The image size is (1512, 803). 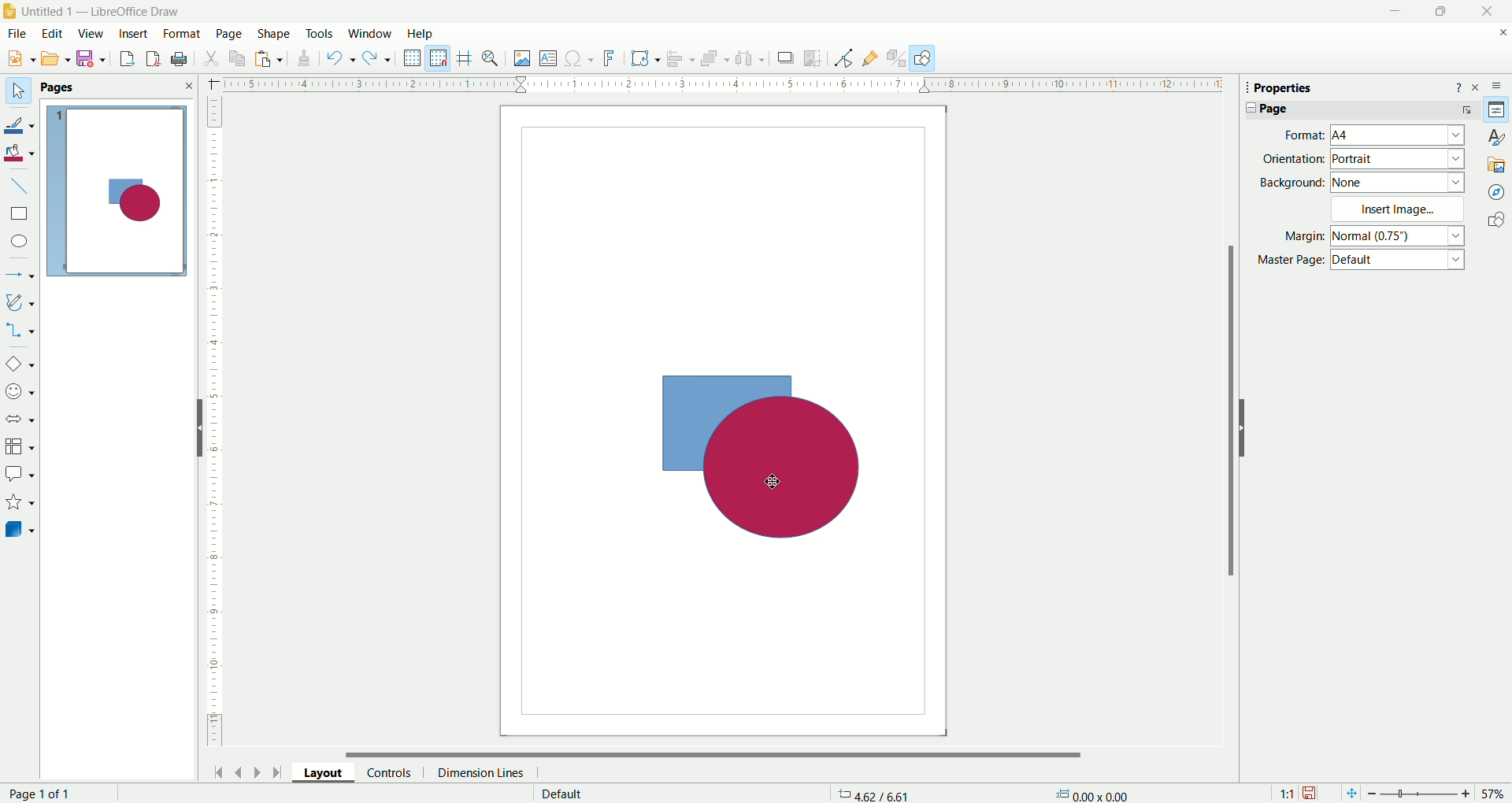 What do you see at coordinates (340, 61) in the screenshot?
I see `undo` at bounding box center [340, 61].